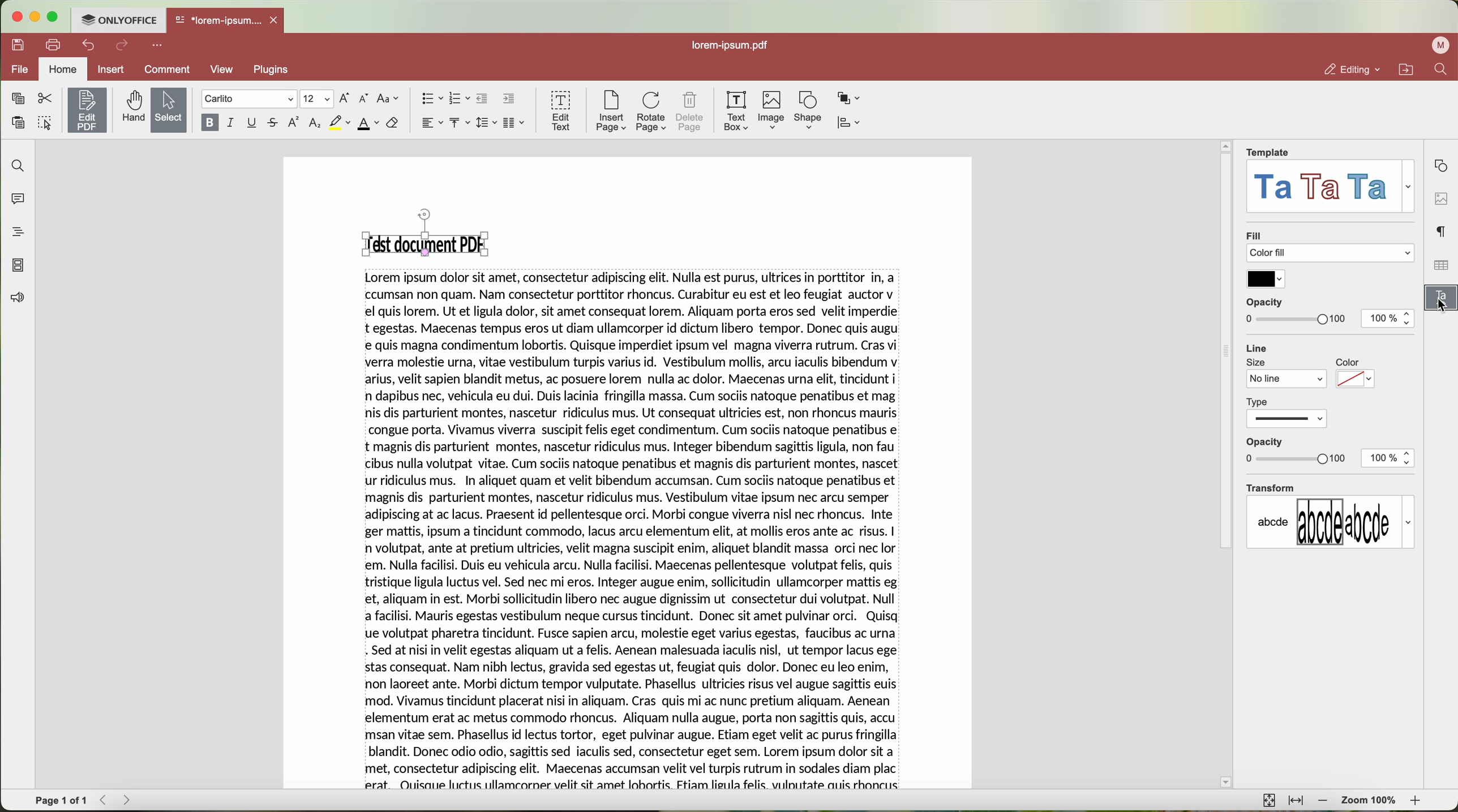 Image resolution: width=1458 pixels, height=812 pixels. Describe the element at coordinates (652, 111) in the screenshot. I see `rotate page` at that location.